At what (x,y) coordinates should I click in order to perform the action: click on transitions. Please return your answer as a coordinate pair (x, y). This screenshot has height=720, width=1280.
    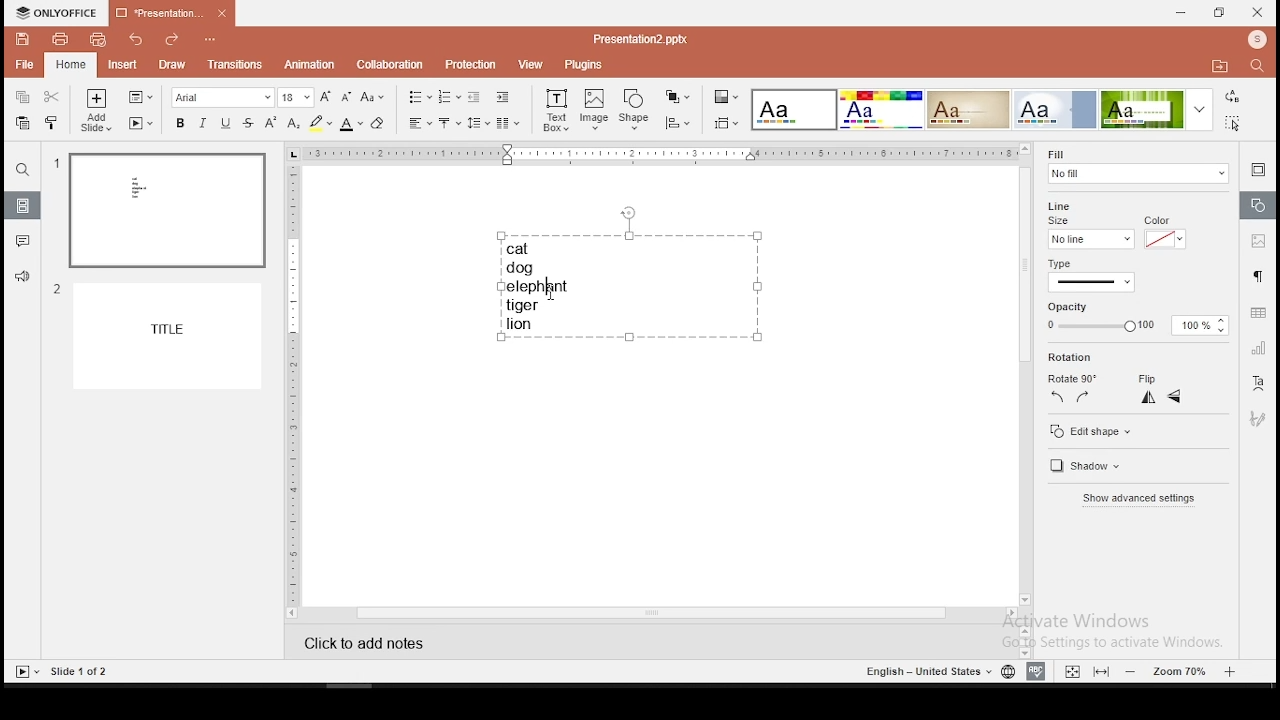
    Looking at the image, I should click on (236, 67).